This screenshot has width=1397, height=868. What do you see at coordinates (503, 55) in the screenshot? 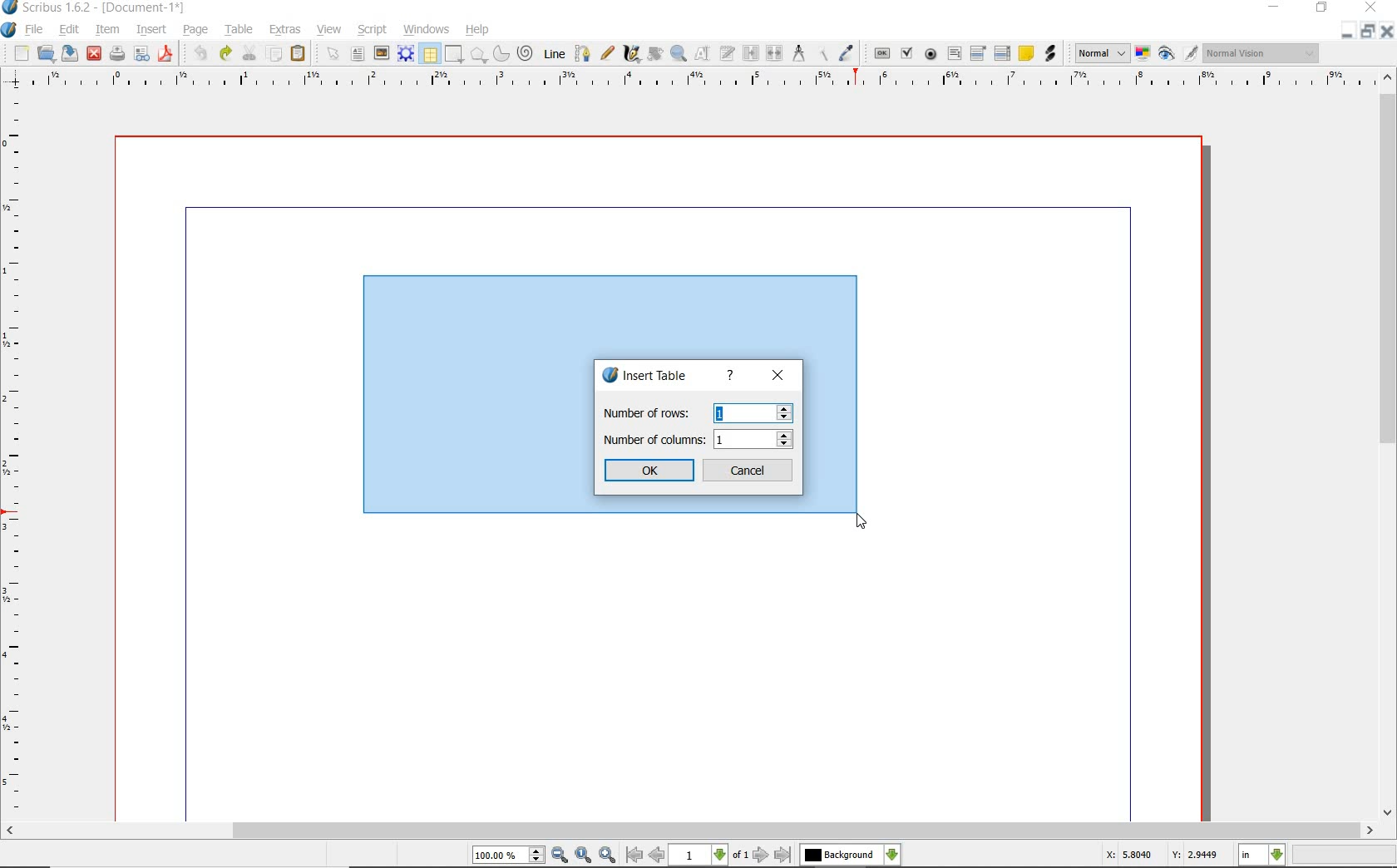
I see `arc` at bounding box center [503, 55].